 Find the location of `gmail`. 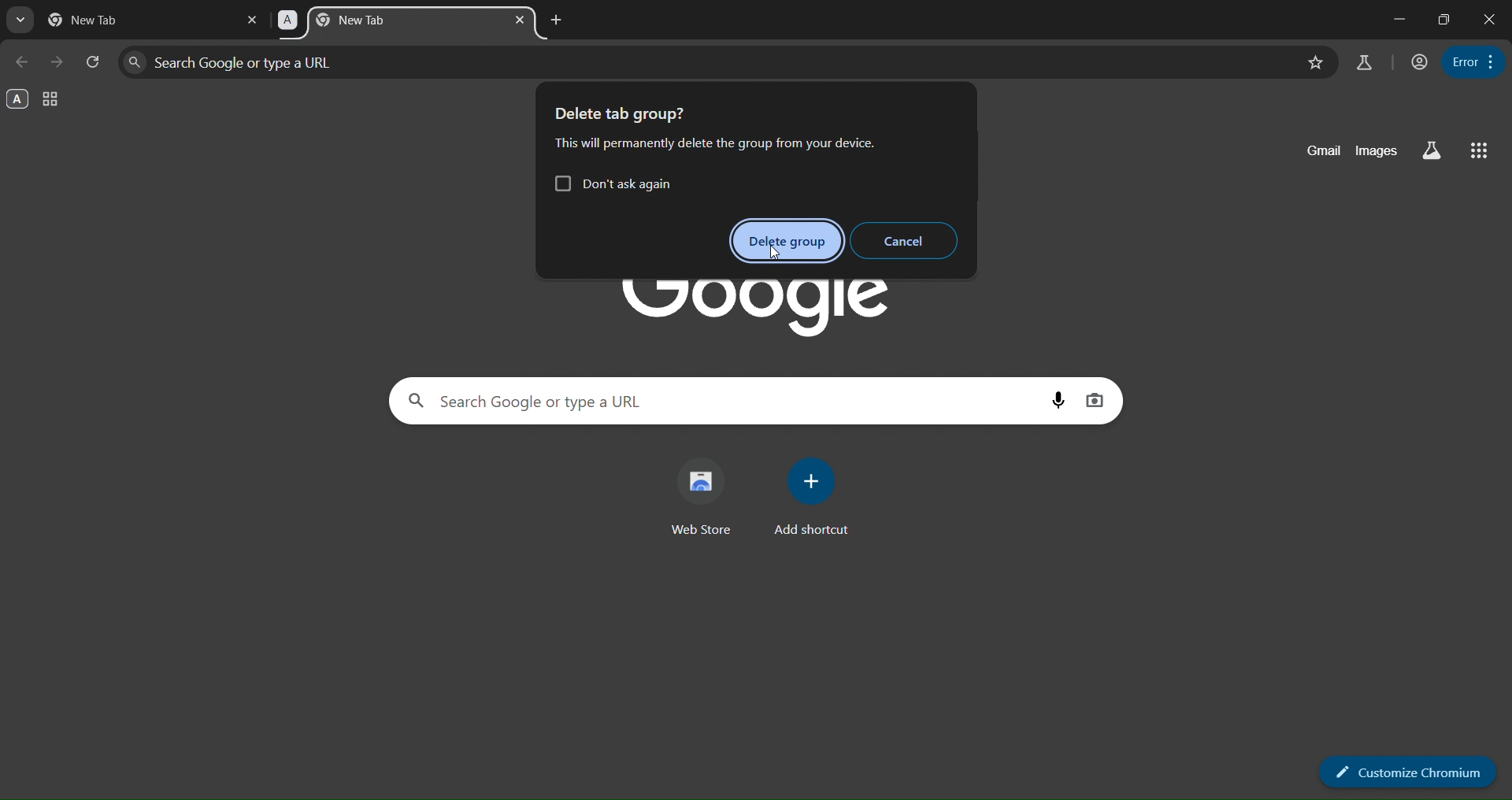

gmail is located at coordinates (1317, 152).